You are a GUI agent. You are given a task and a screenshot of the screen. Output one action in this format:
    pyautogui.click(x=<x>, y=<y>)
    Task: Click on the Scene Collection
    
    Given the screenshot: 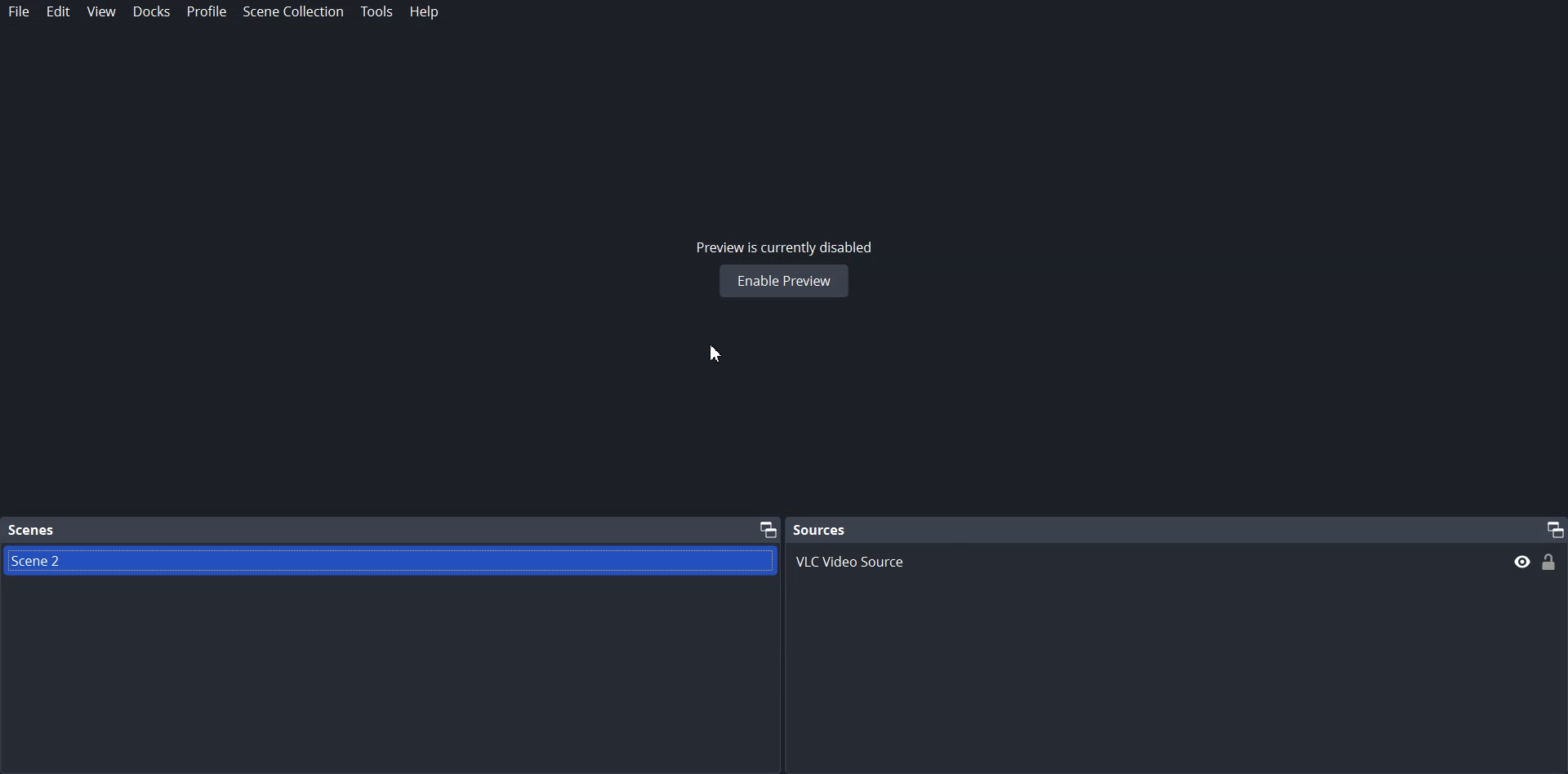 What is the action you would take?
    pyautogui.click(x=293, y=12)
    